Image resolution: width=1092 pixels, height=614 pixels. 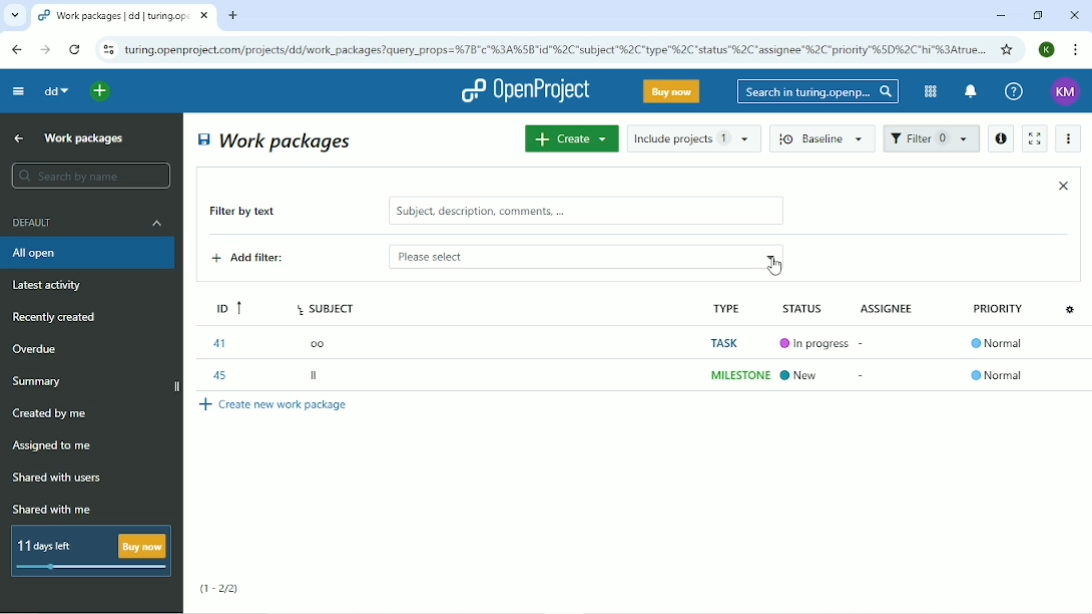 I want to click on (1-2/2), so click(x=220, y=589).